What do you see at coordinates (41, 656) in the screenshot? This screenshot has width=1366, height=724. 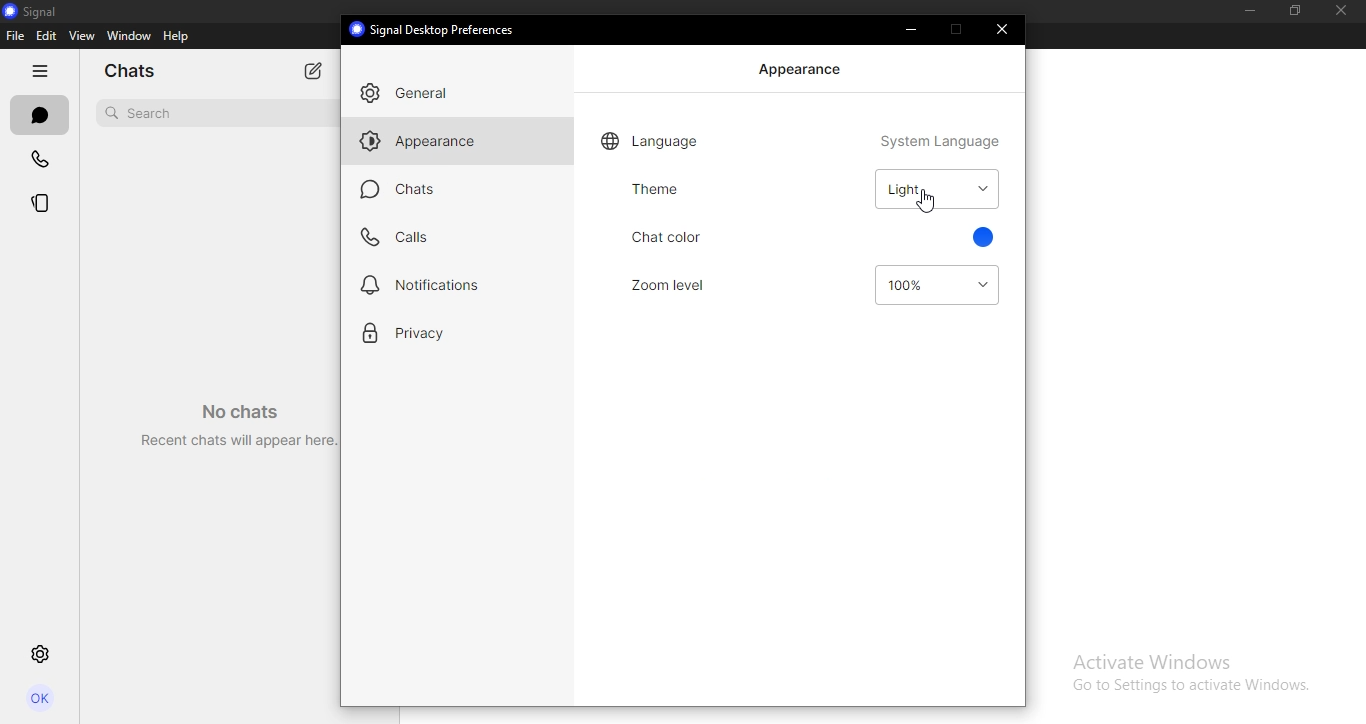 I see `settings` at bounding box center [41, 656].